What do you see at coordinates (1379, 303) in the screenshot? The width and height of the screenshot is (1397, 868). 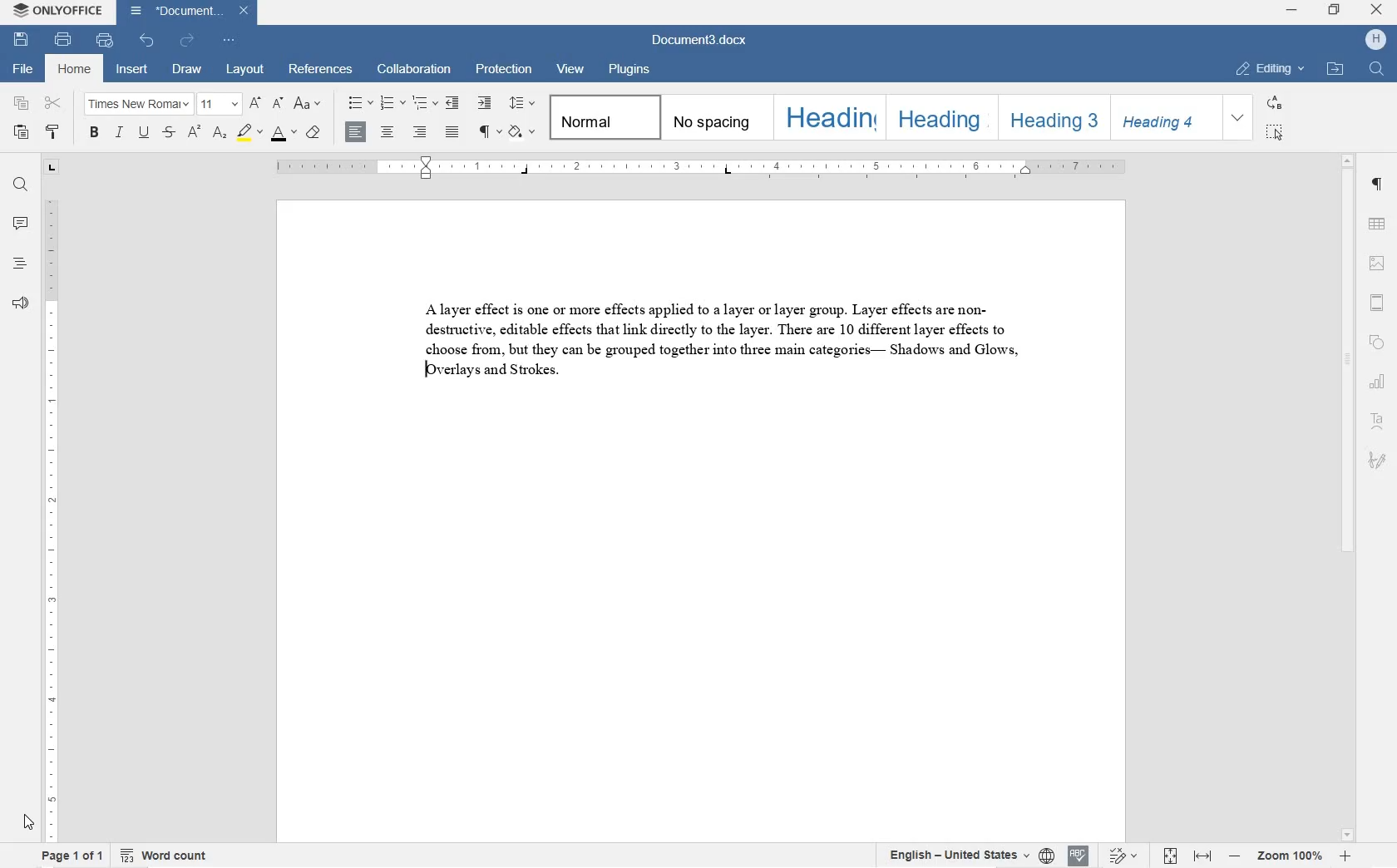 I see `HEADERS & FOOTERS` at bounding box center [1379, 303].